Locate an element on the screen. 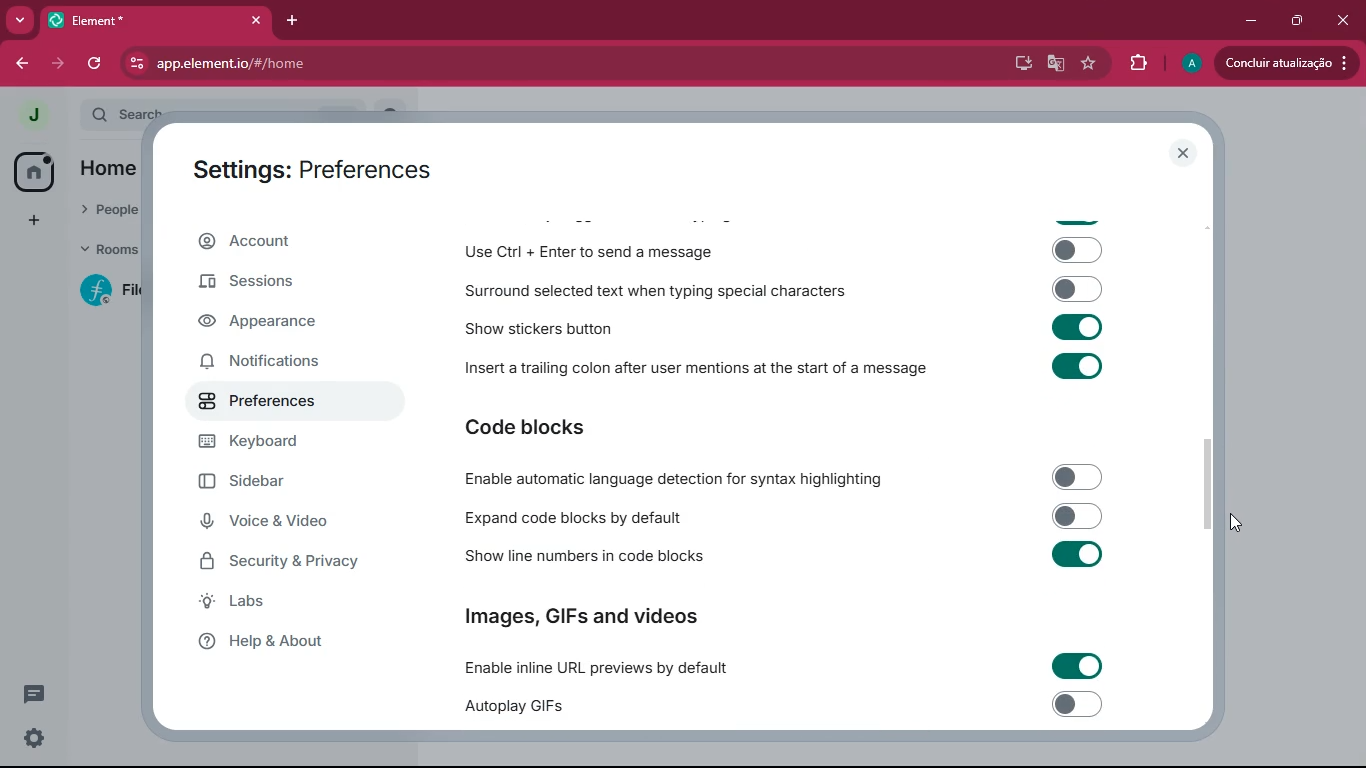 The width and height of the screenshot is (1366, 768). home is located at coordinates (103, 168).